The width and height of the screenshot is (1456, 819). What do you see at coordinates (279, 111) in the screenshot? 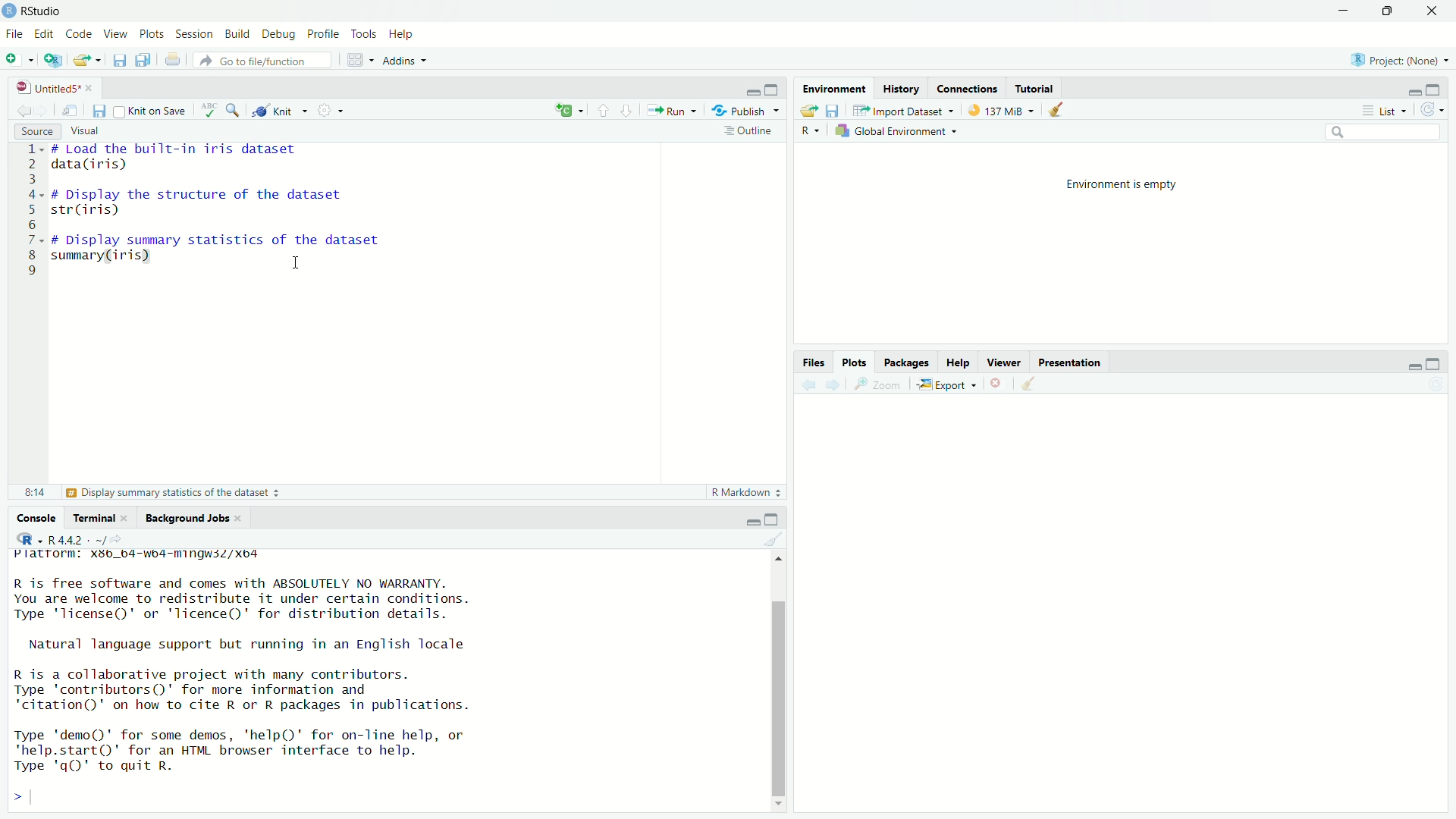
I see `Knit` at bounding box center [279, 111].